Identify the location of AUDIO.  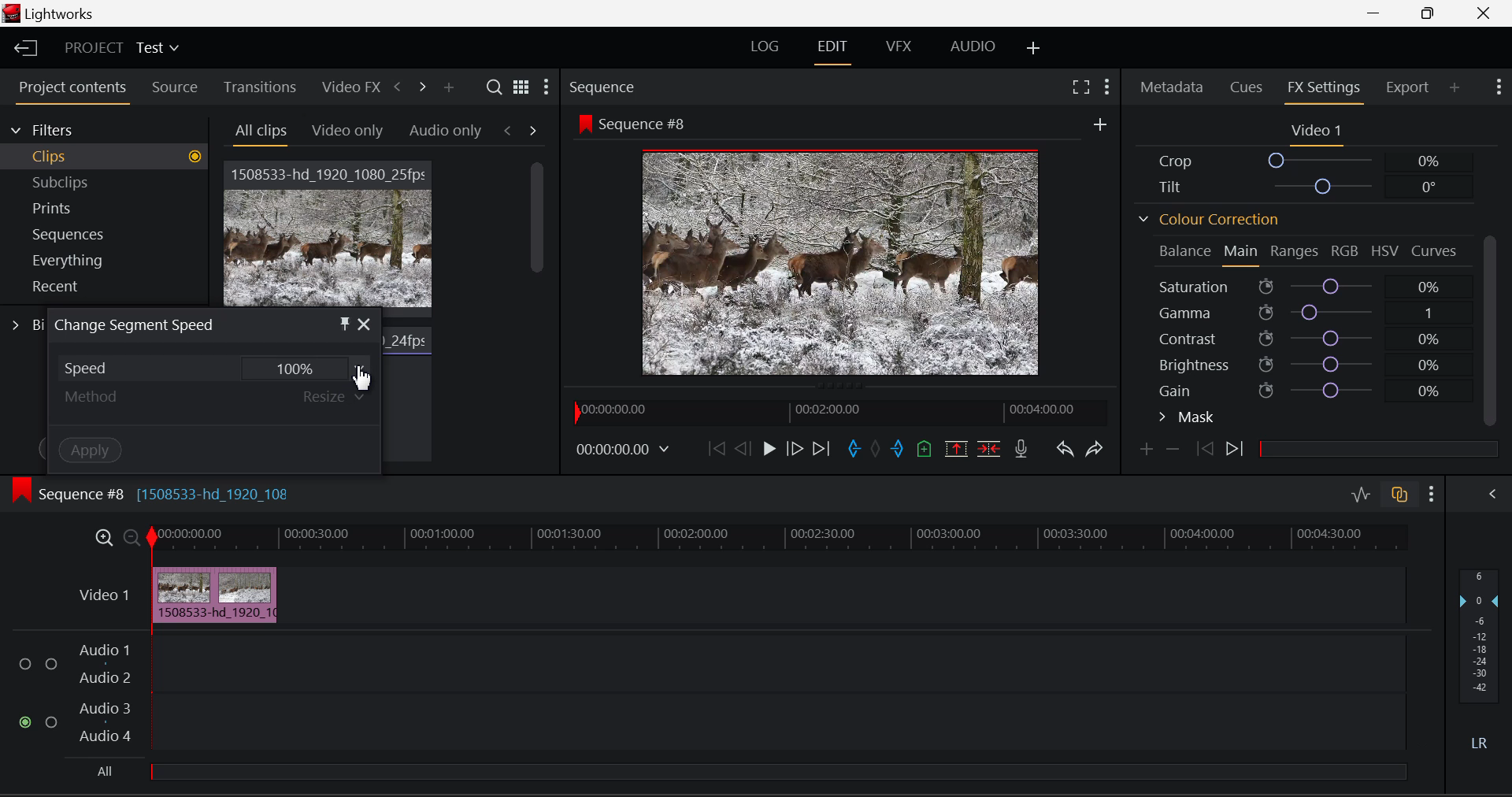
(972, 47).